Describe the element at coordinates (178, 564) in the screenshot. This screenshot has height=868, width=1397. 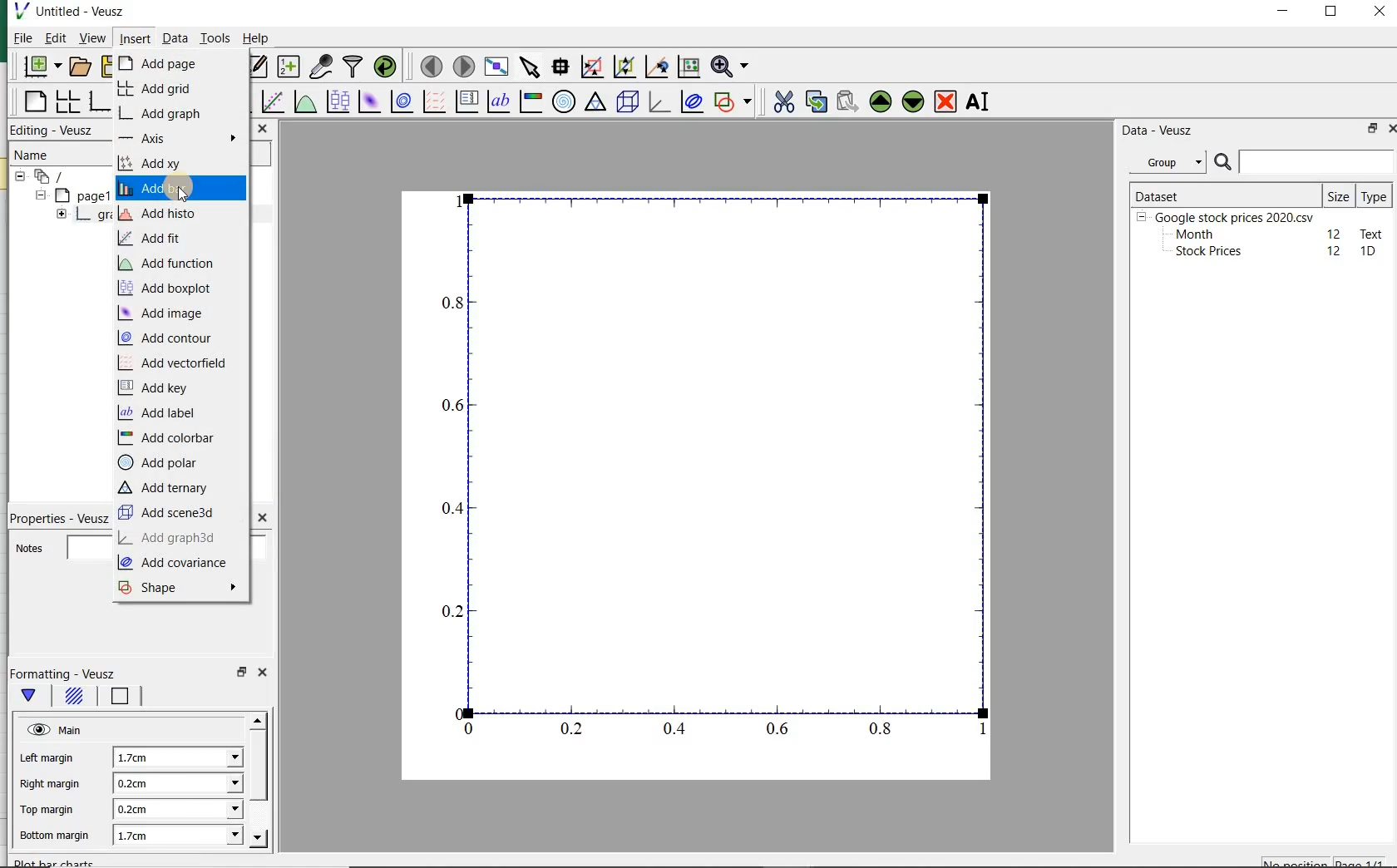
I see `Add covariance` at that location.